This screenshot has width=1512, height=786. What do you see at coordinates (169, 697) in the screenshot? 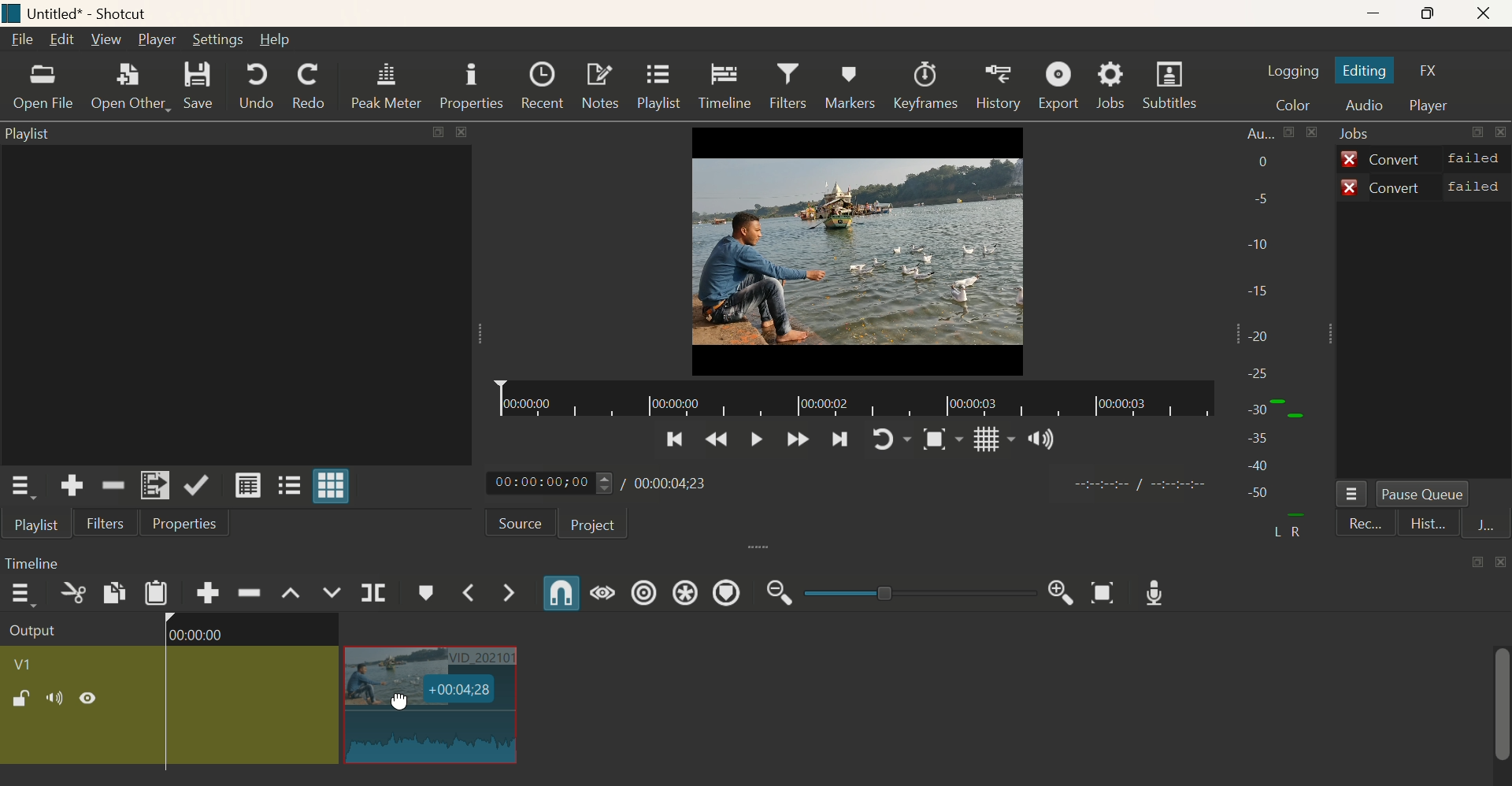
I see `Clip` at bounding box center [169, 697].